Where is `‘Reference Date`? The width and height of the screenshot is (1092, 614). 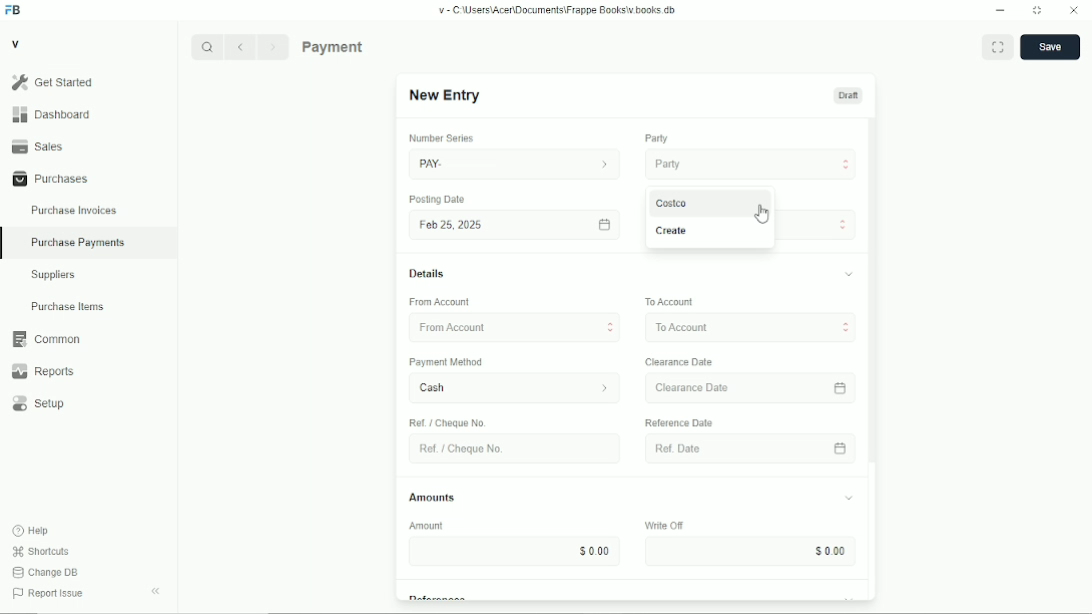
‘Reference Date is located at coordinates (682, 422).